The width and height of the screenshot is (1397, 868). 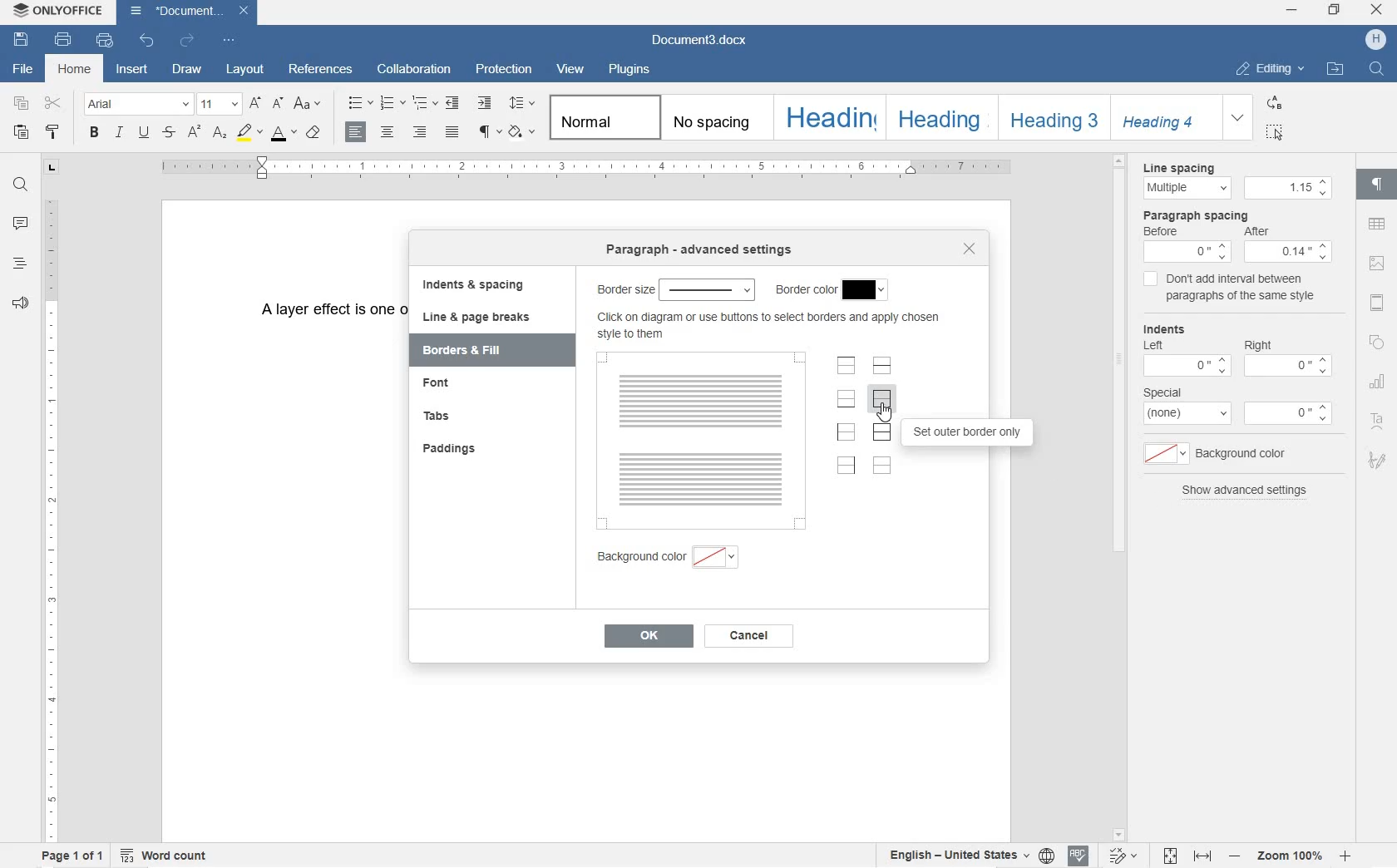 What do you see at coordinates (1377, 224) in the screenshot?
I see `TABLE` at bounding box center [1377, 224].